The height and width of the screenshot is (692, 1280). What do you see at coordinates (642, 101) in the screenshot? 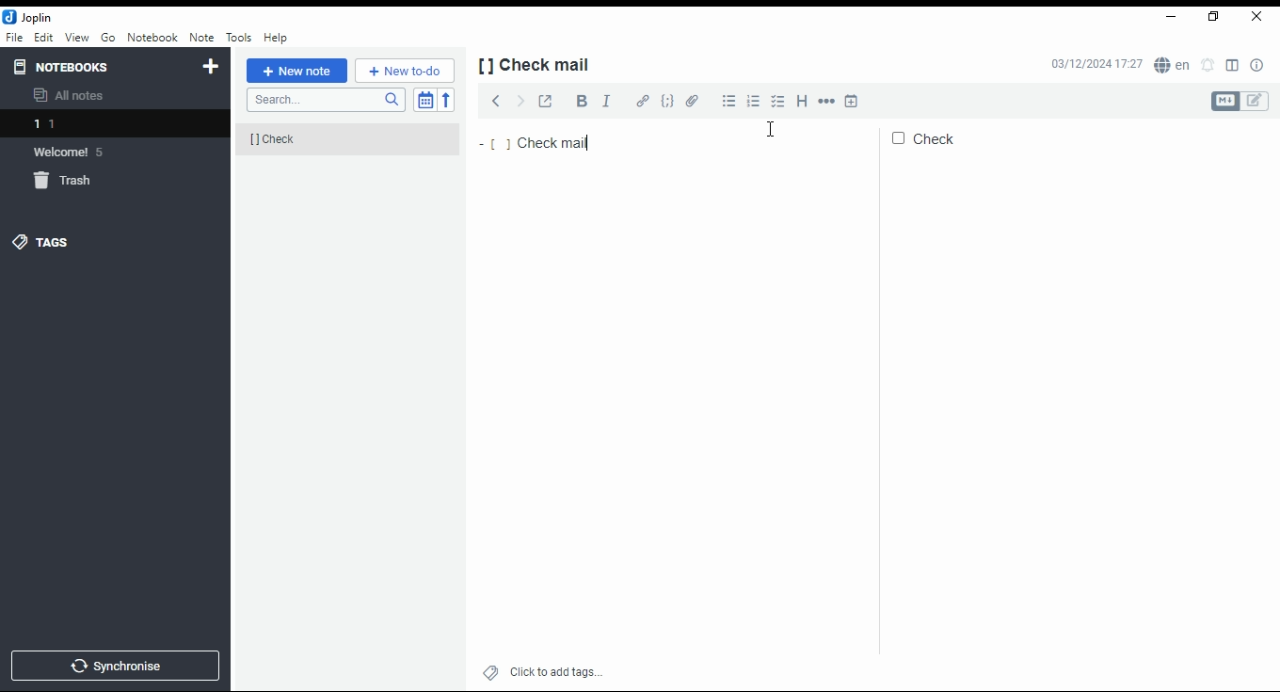
I see `hyperlink` at bounding box center [642, 101].